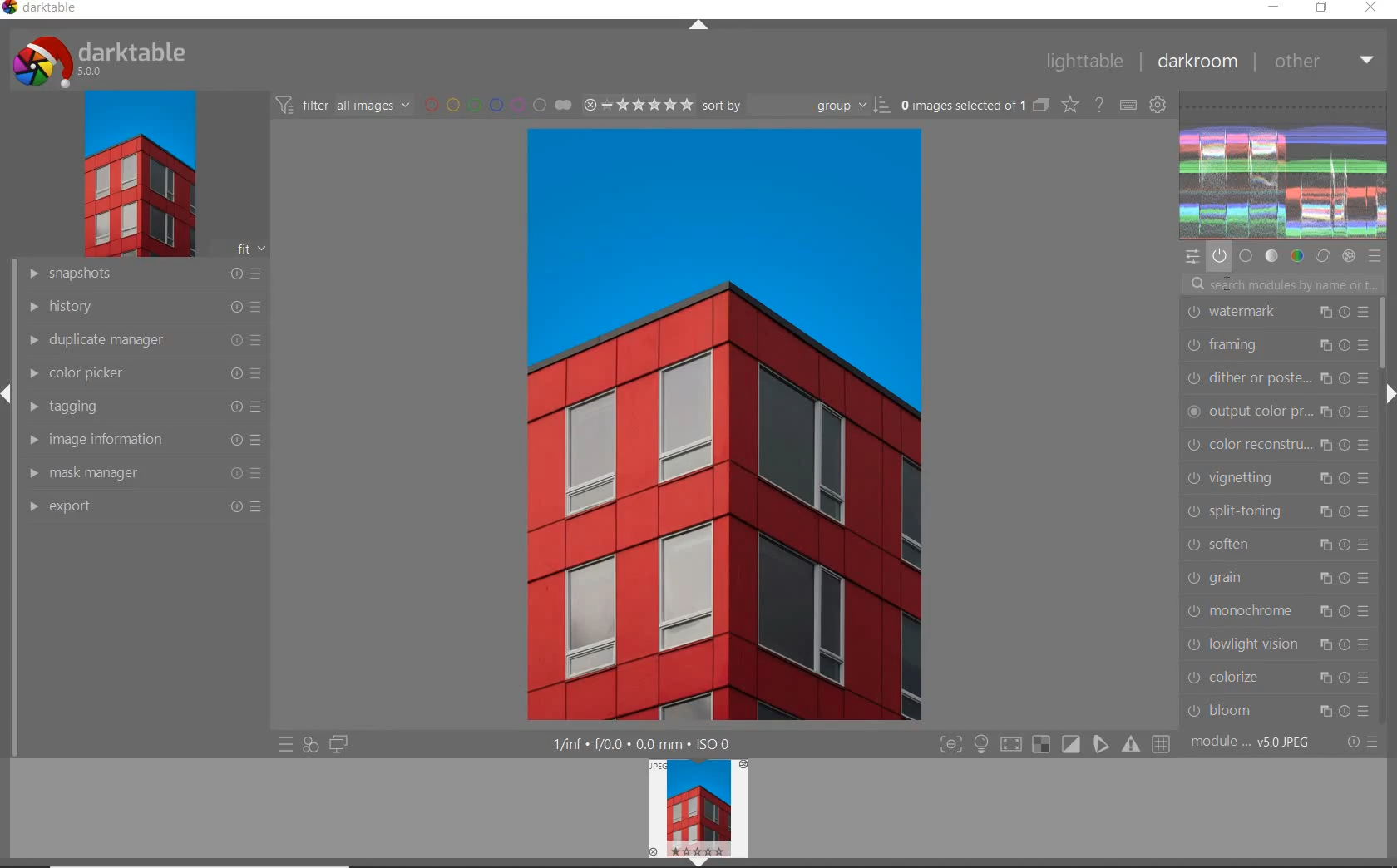 The image size is (1397, 868). What do you see at coordinates (723, 424) in the screenshot?
I see `selected image ` at bounding box center [723, 424].